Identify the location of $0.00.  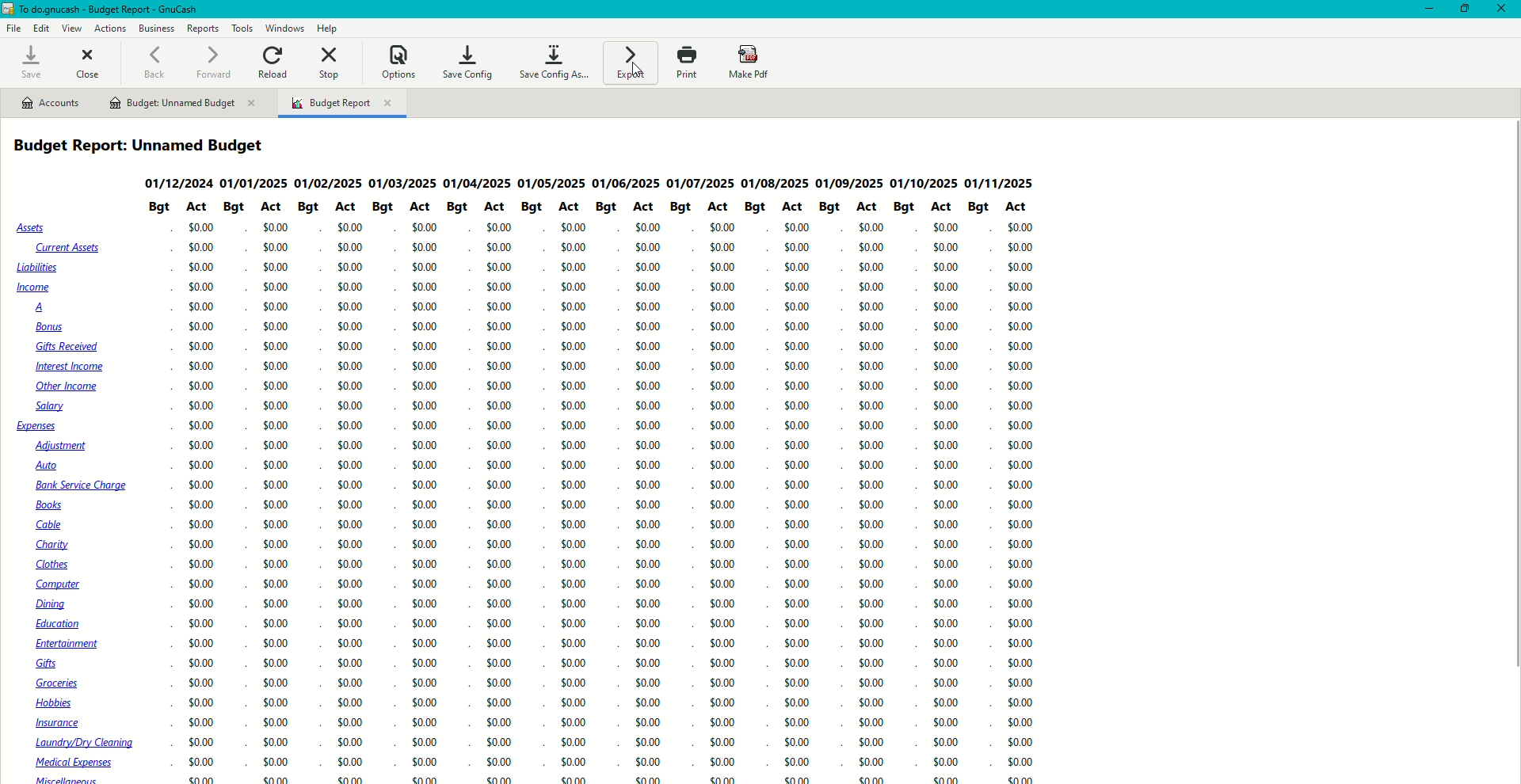
(504, 307).